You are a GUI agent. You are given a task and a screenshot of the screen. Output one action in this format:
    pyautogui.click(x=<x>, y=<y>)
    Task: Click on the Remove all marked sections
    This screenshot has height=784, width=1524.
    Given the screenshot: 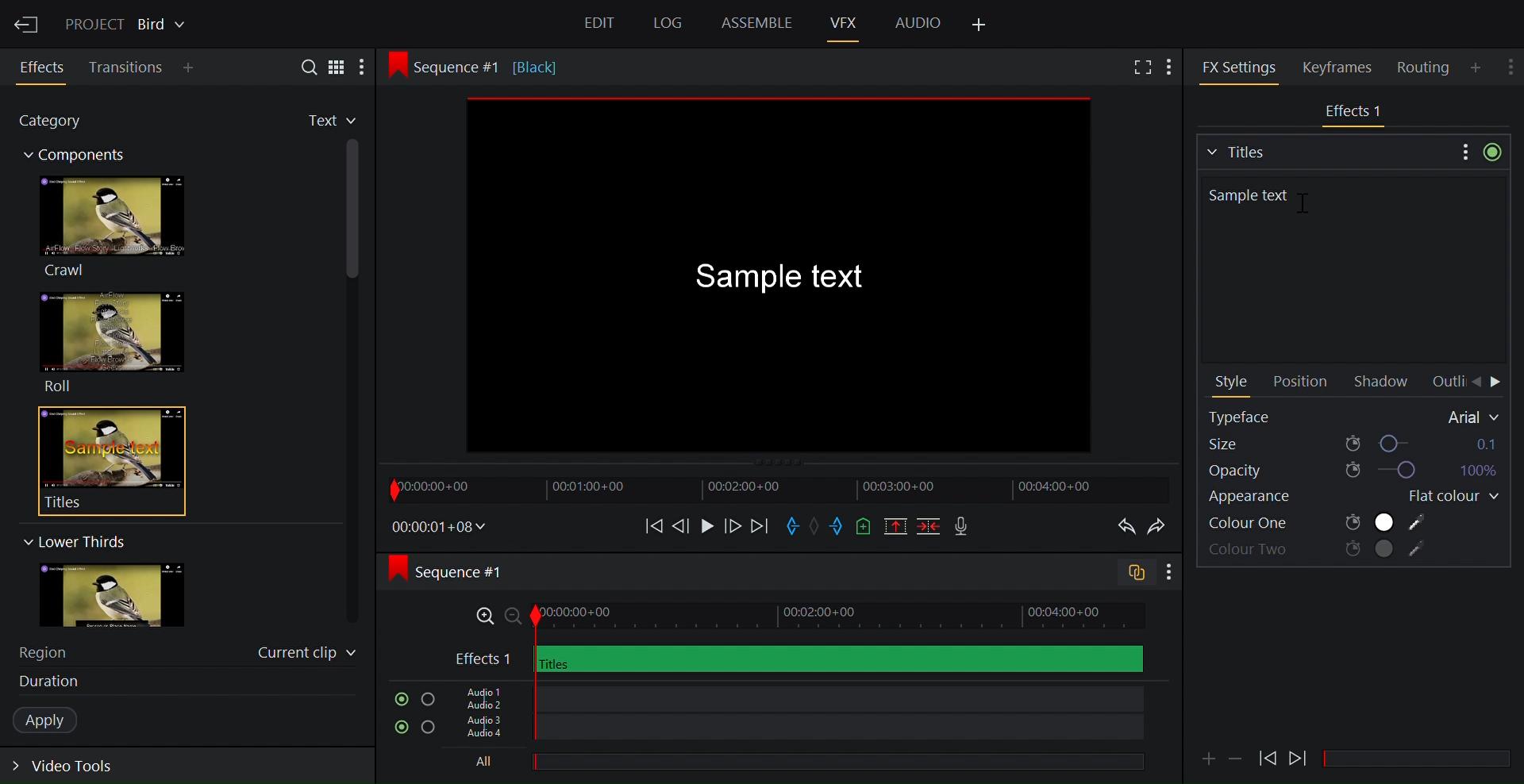 What is the action you would take?
    pyautogui.click(x=897, y=528)
    